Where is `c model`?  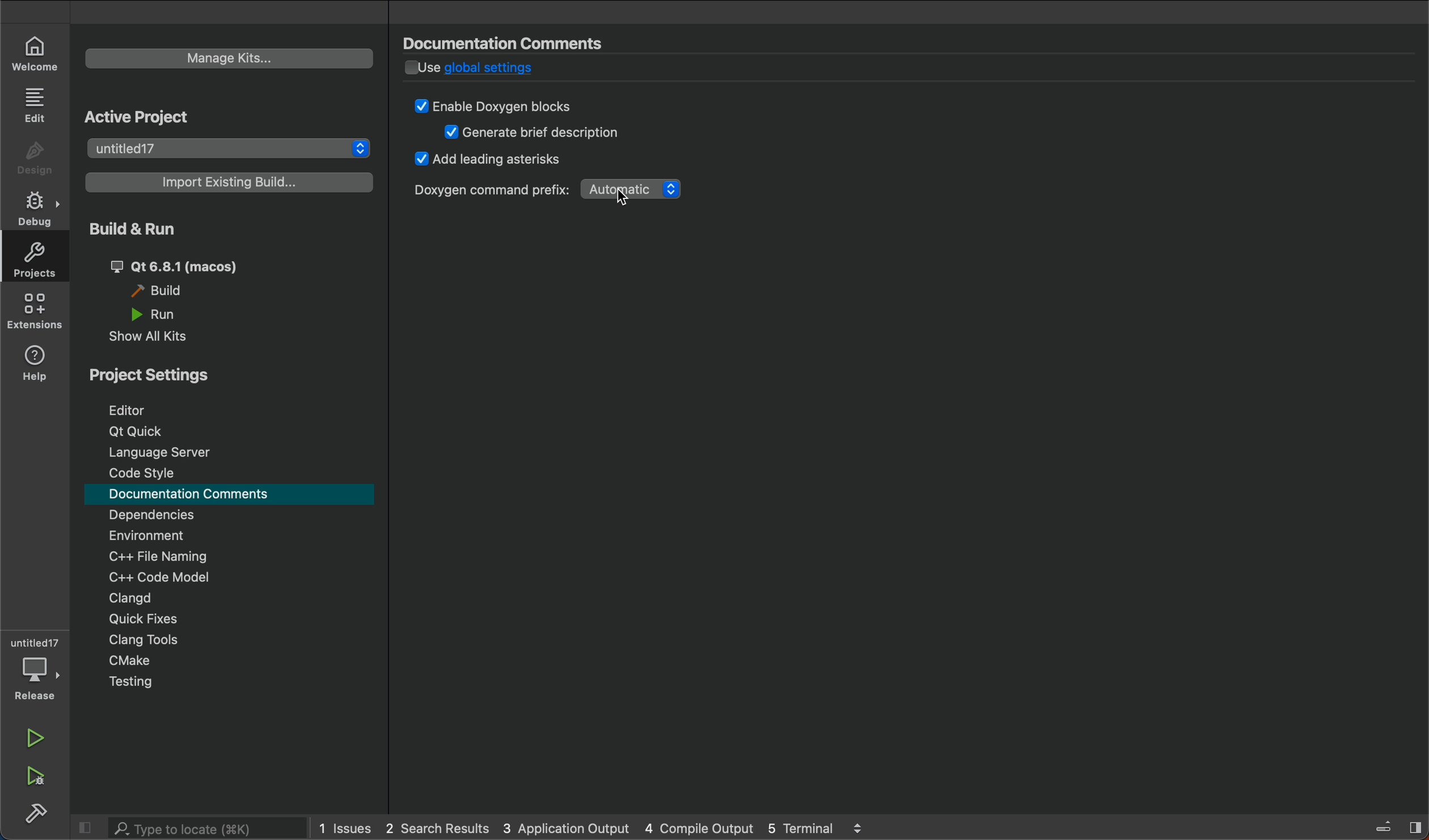
c model is located at coordinates (159, 577).